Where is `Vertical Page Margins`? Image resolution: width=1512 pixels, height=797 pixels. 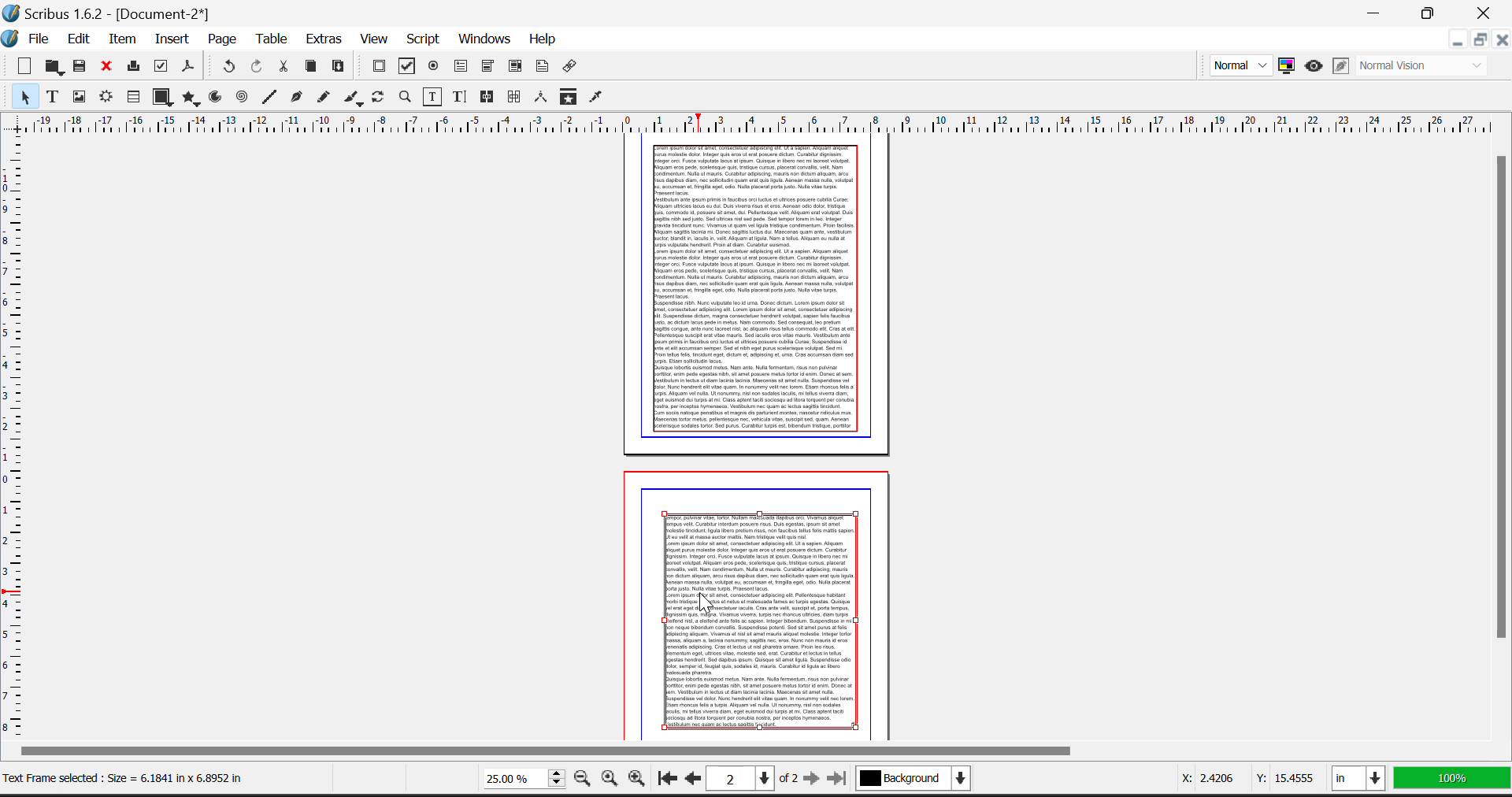 Vertical Page Margins is located at coordinates (762, 121).